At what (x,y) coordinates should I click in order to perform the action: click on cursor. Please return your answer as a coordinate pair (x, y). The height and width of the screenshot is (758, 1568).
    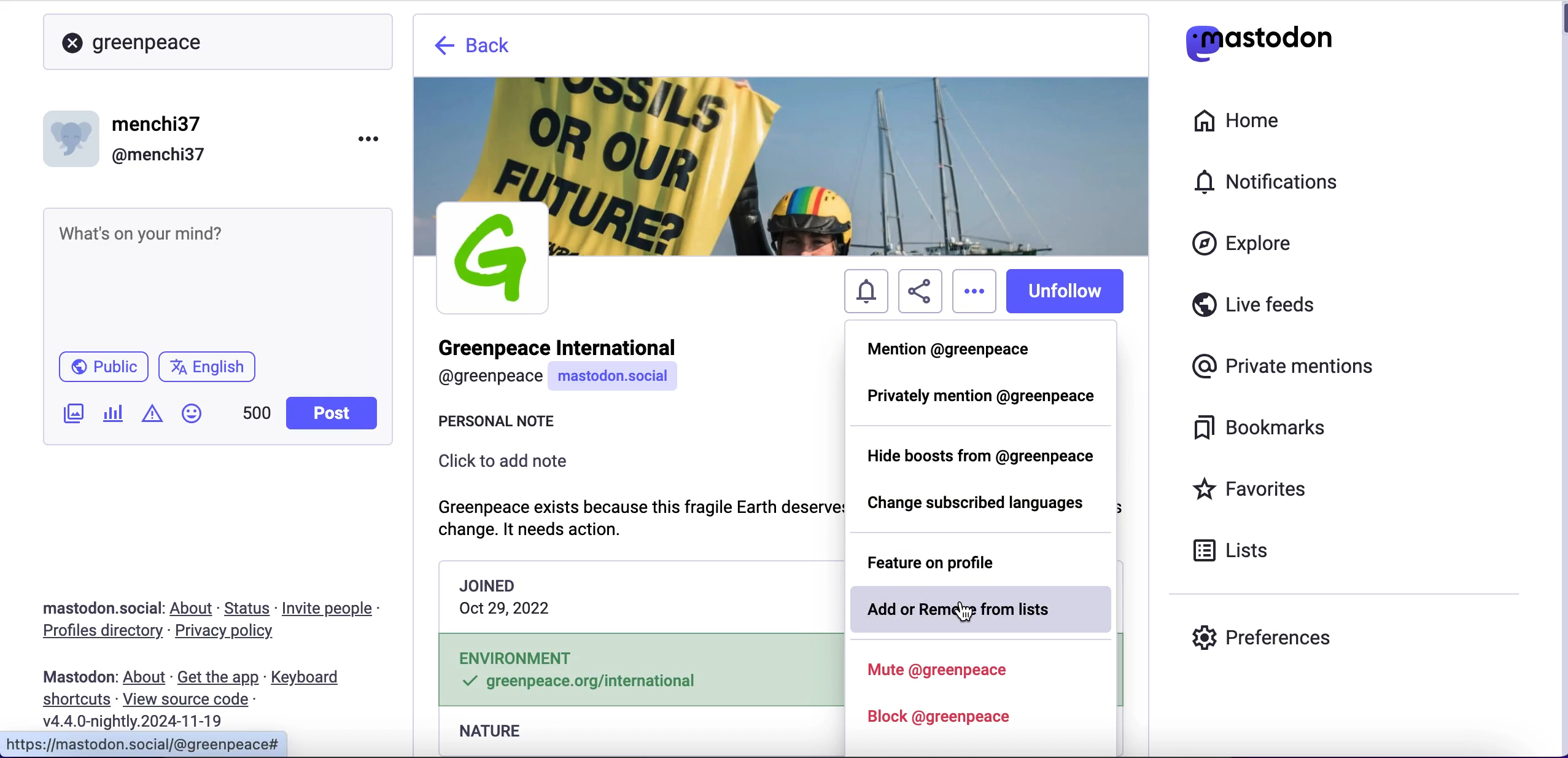
    Looking at the image, I should click on (971, 612).